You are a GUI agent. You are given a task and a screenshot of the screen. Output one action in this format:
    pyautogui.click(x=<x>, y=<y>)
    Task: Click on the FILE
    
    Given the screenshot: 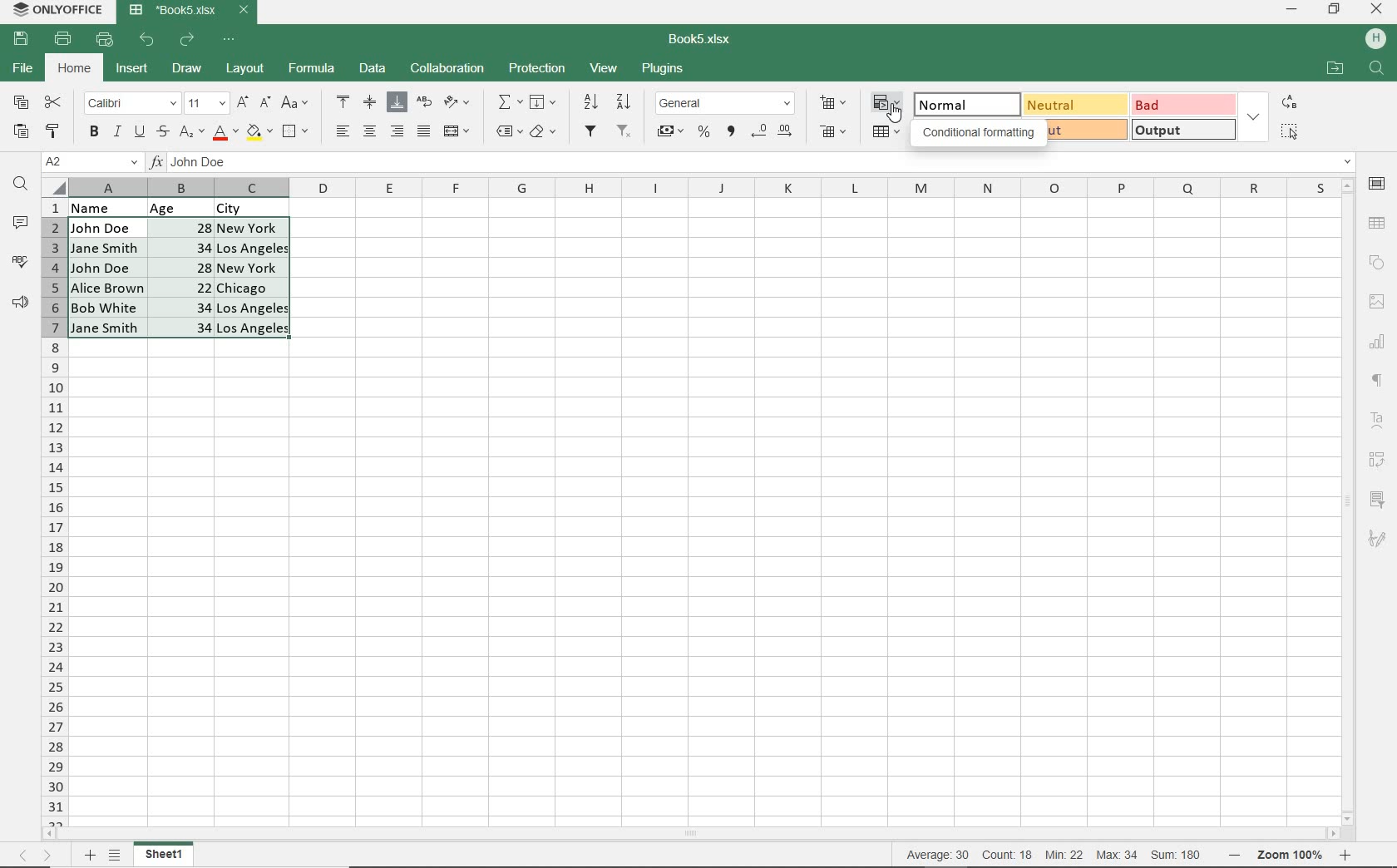 What is the action you would take?
    pyautogui.click(x=21, y=69)
    